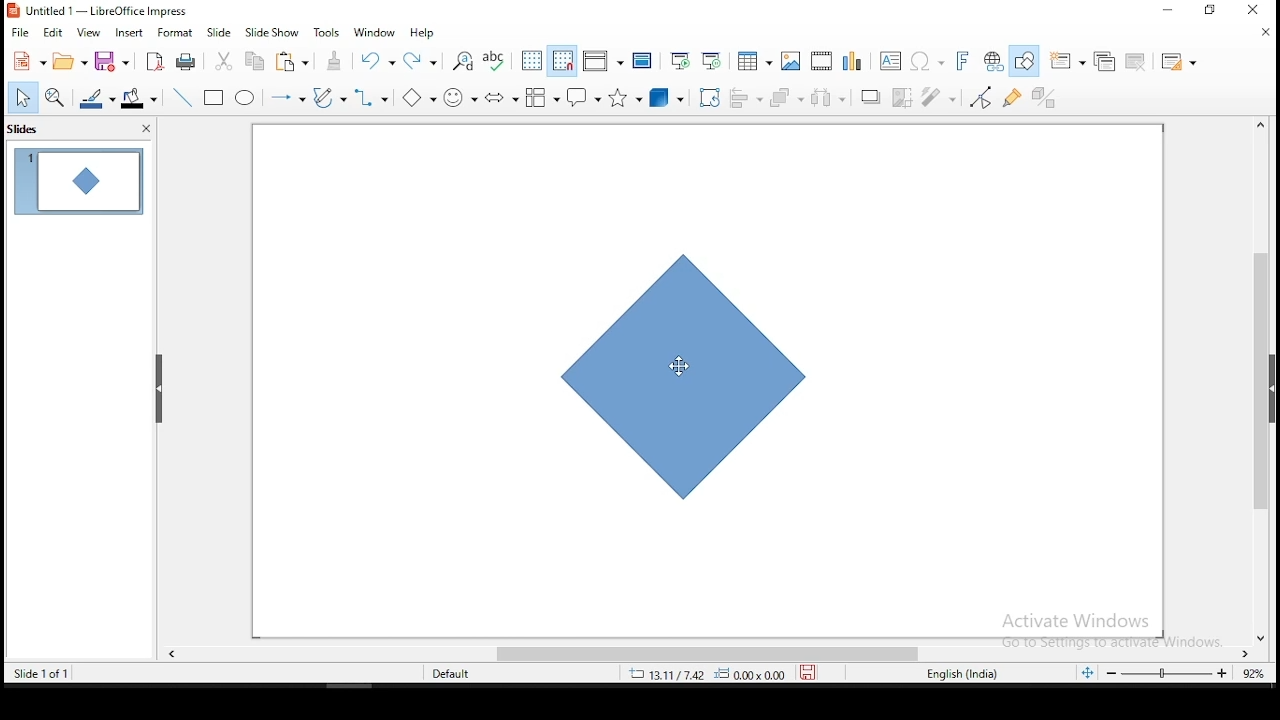 The width and height of the screenshot is (1280, 720). What do you see at coordinates (293, 63) in the screenshot?
I see `paste` at bounding box center [293, 63].